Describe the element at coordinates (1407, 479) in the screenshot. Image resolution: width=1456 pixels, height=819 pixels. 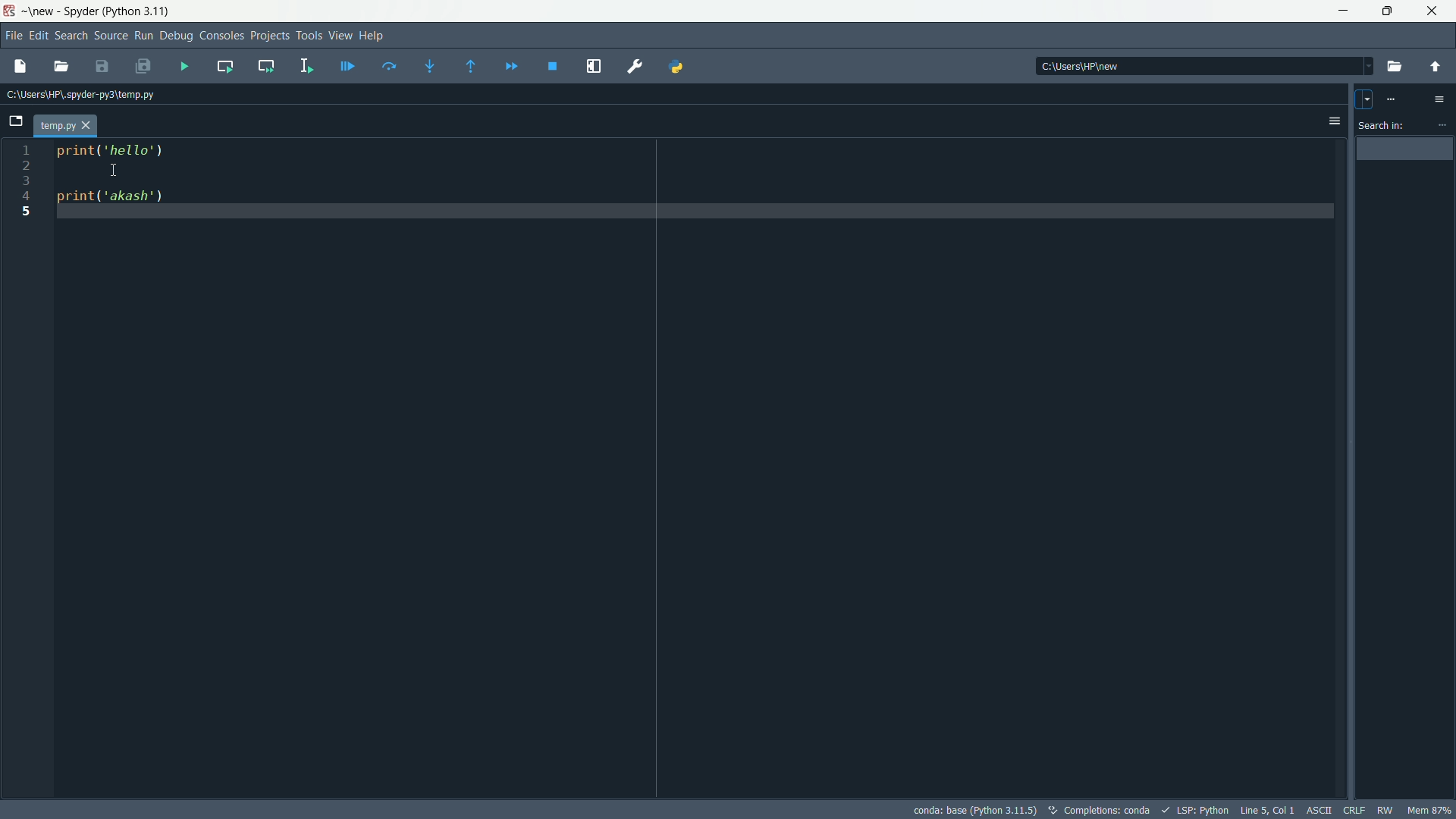
I see `Search pane` at that location.